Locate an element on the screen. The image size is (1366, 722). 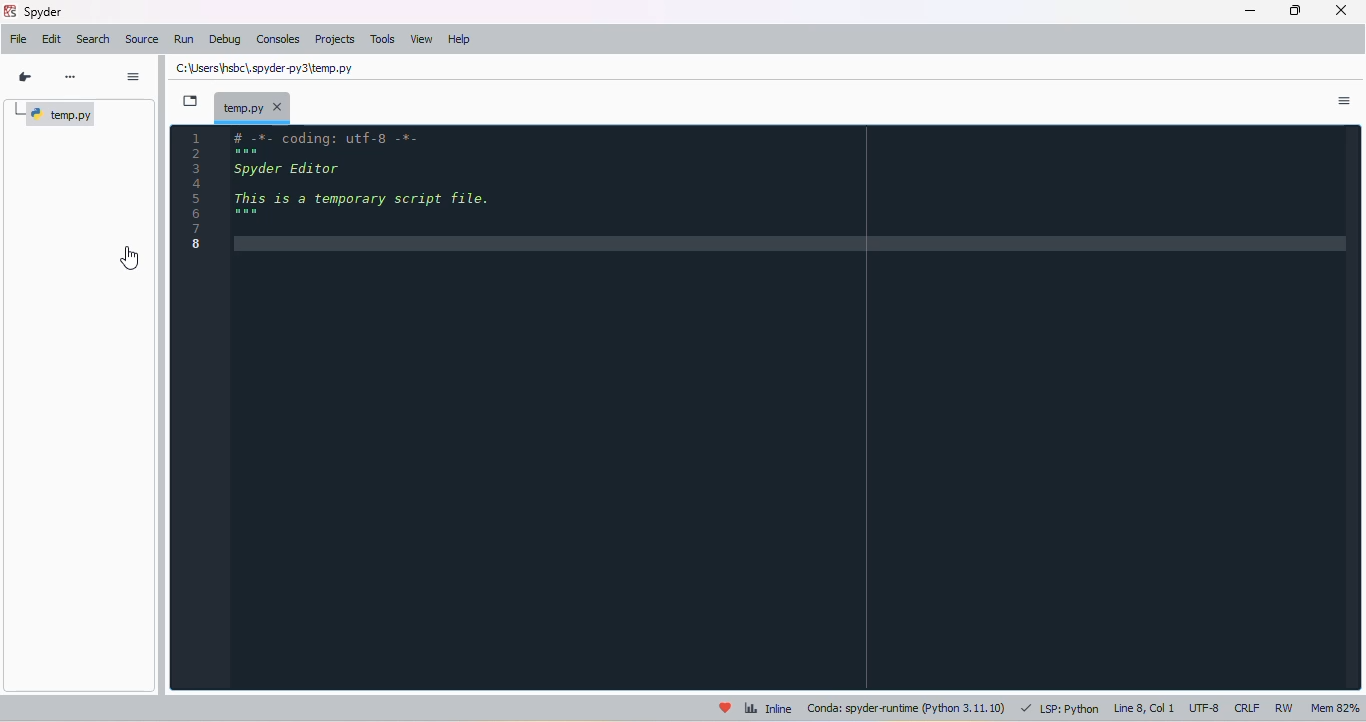
spyder is located at coordinates (44, 12).